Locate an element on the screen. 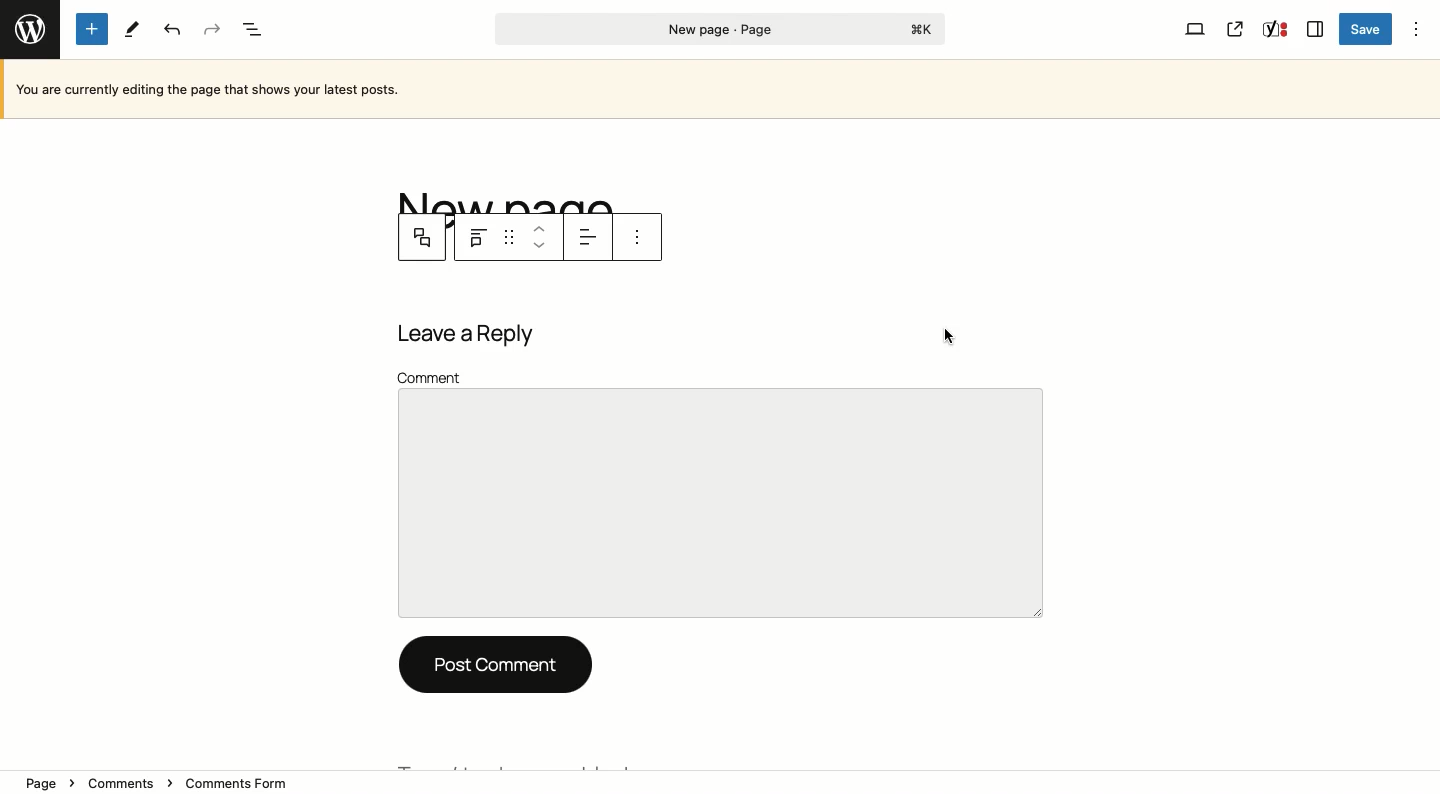  Drag is located at coordinates (510, 239).